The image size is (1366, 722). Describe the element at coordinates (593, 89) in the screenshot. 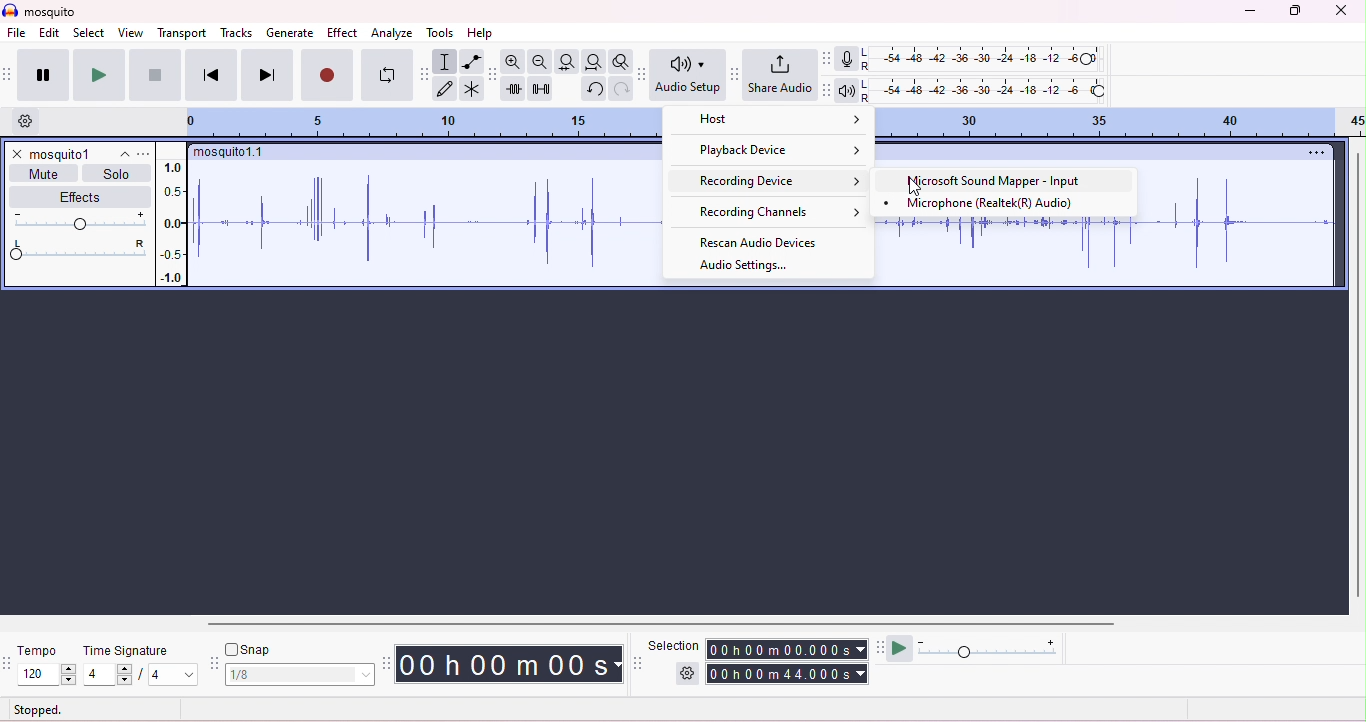

I see `undo` at that location.